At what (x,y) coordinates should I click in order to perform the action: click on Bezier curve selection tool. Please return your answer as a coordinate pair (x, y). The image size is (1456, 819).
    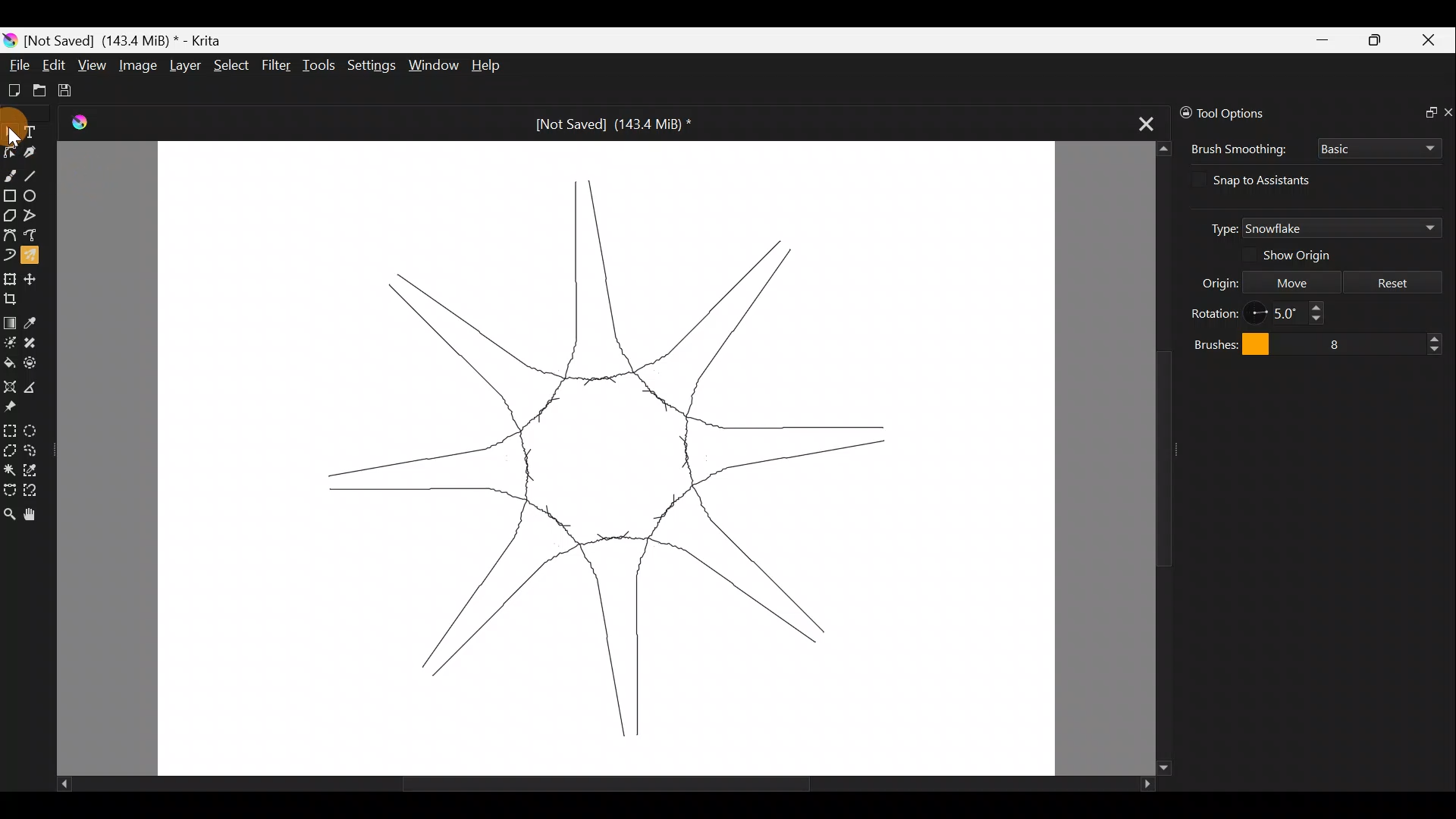
    Looking at the image, I should click on (9, 490).